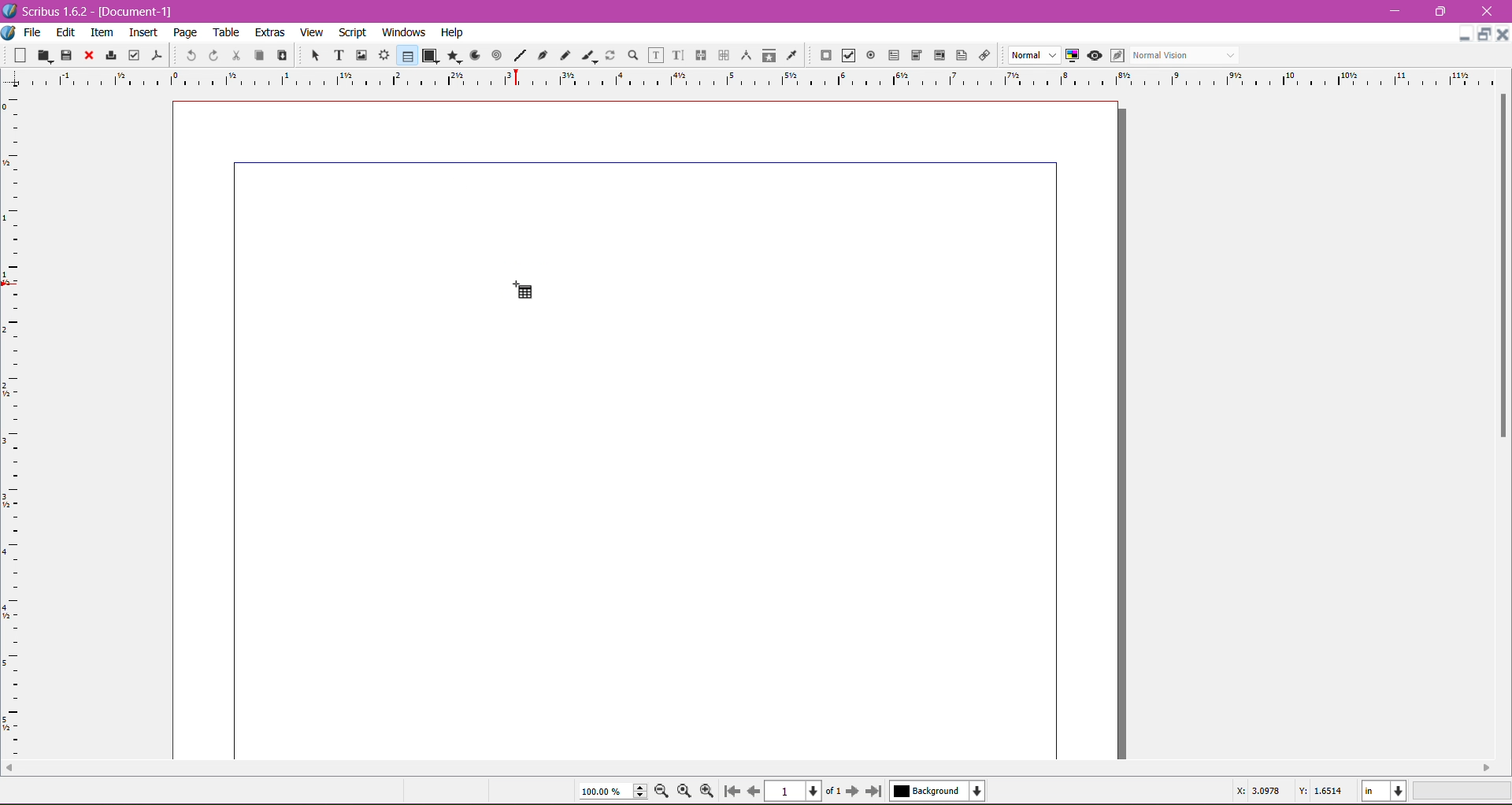  Describe the element at coordinates (1465, 32) in the screenshot. I see `Minimize` at that location.